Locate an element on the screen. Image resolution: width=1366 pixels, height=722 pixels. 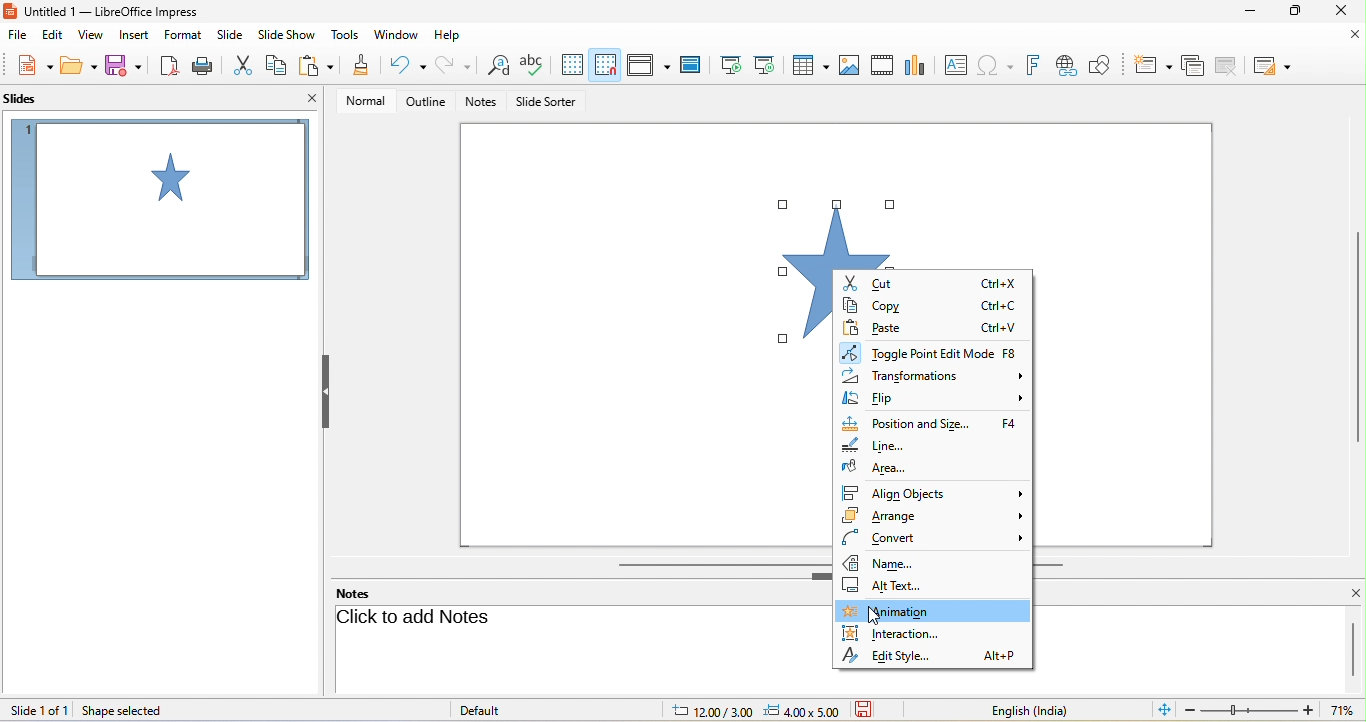
print is located at coordinates (207, 65).